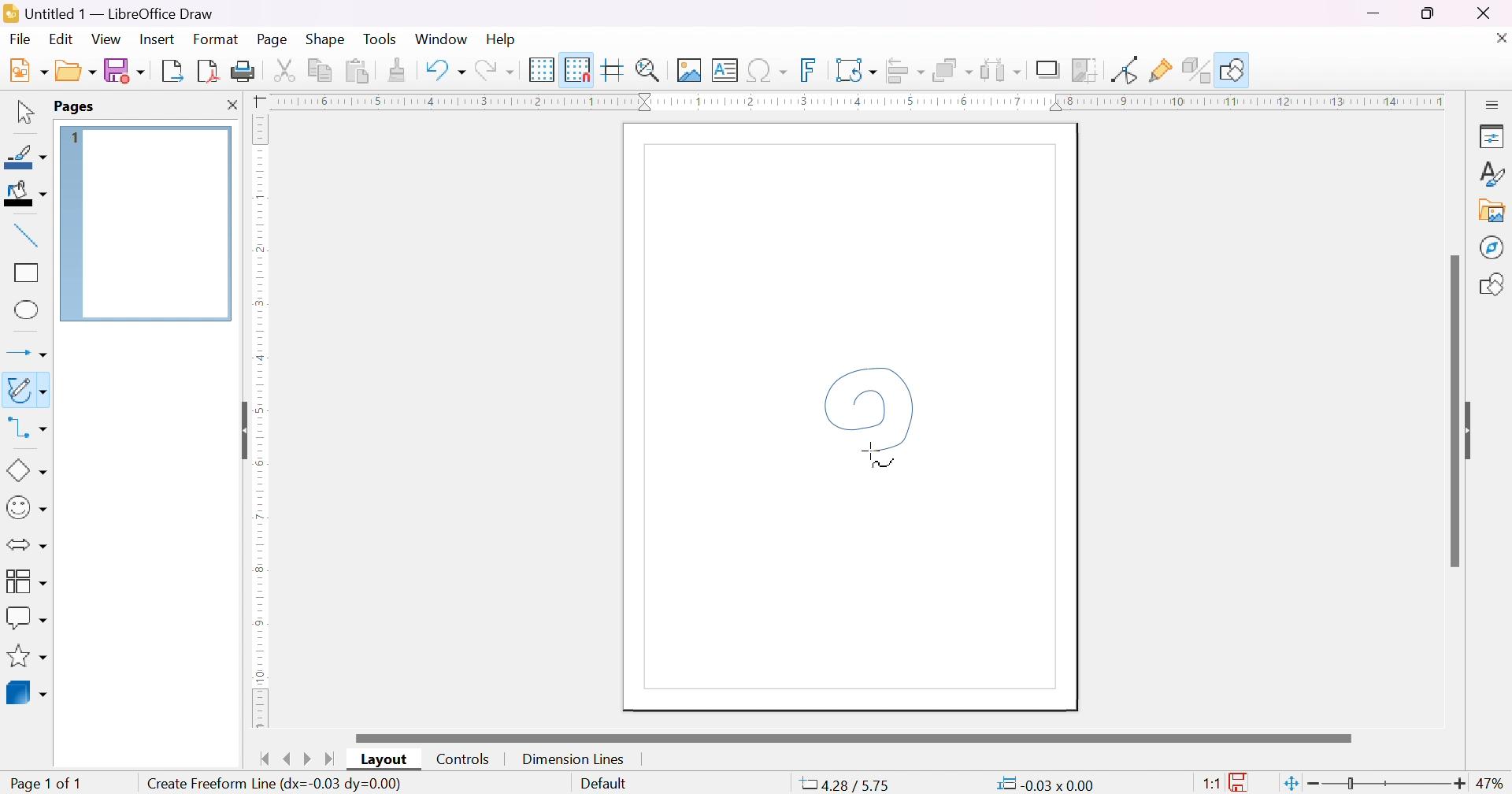 This screenshot has width=1512, height=794. What do you see at coordinates (325, 37) in the screenshot?
I see `shape` at bounding box center [325, 37].